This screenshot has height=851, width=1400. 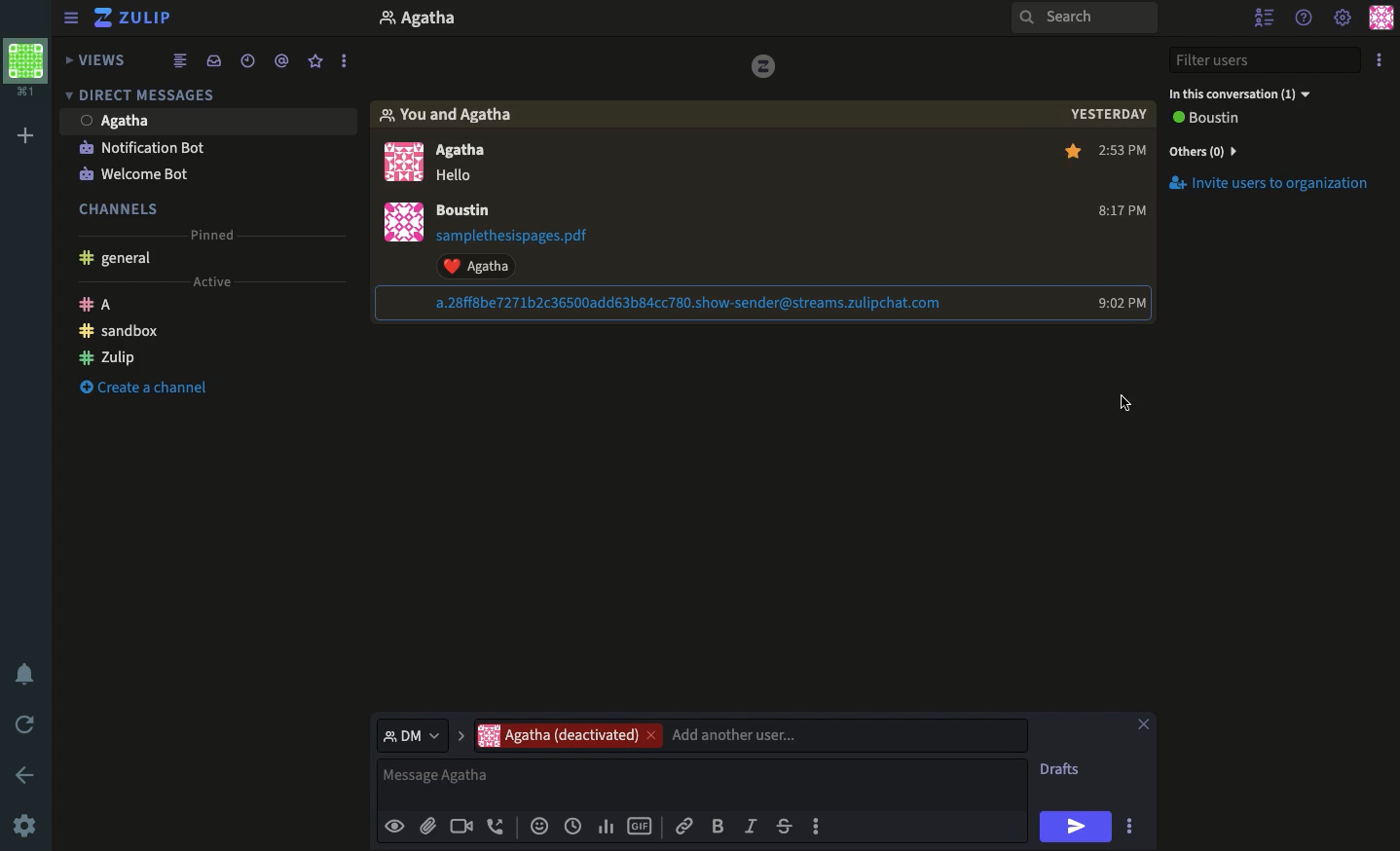 I want to click on Create a channel, so click(x=149, y=388).